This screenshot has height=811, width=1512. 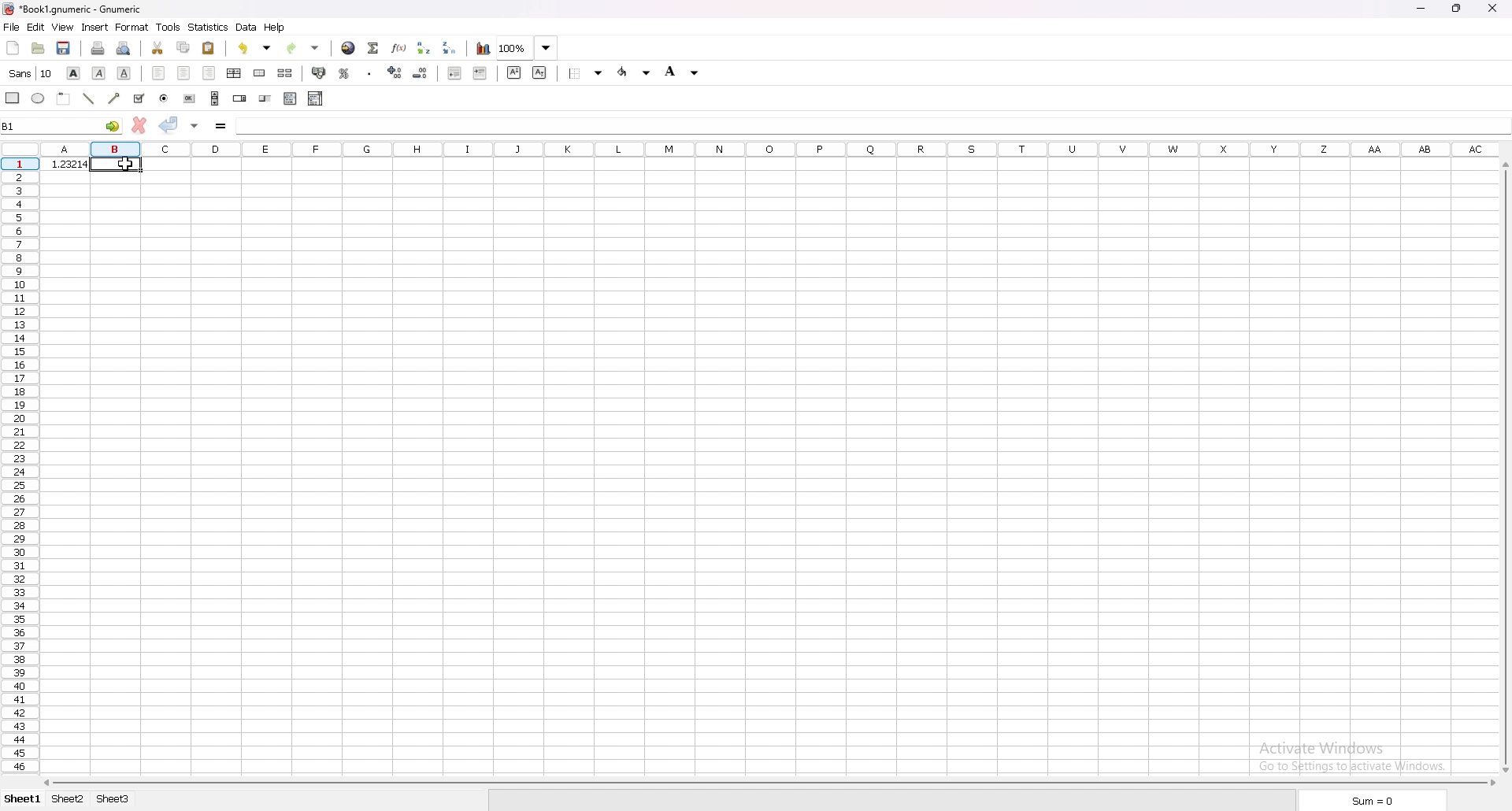 I want to click on merge cells, so click(x=259, y=72).